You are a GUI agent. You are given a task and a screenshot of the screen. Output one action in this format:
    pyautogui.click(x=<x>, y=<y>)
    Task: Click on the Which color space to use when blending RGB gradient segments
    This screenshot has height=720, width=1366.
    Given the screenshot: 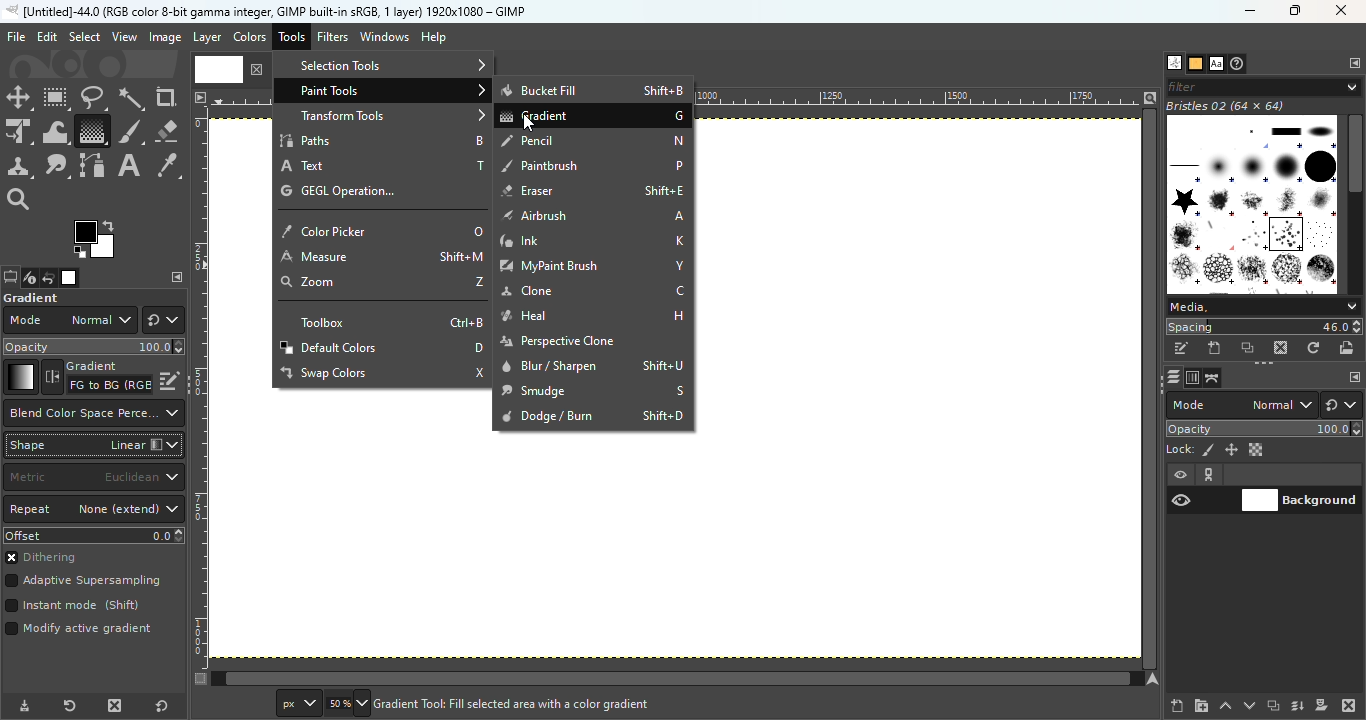 What is the action you would take?
    pyautogui.click(x=92, y=413)
    